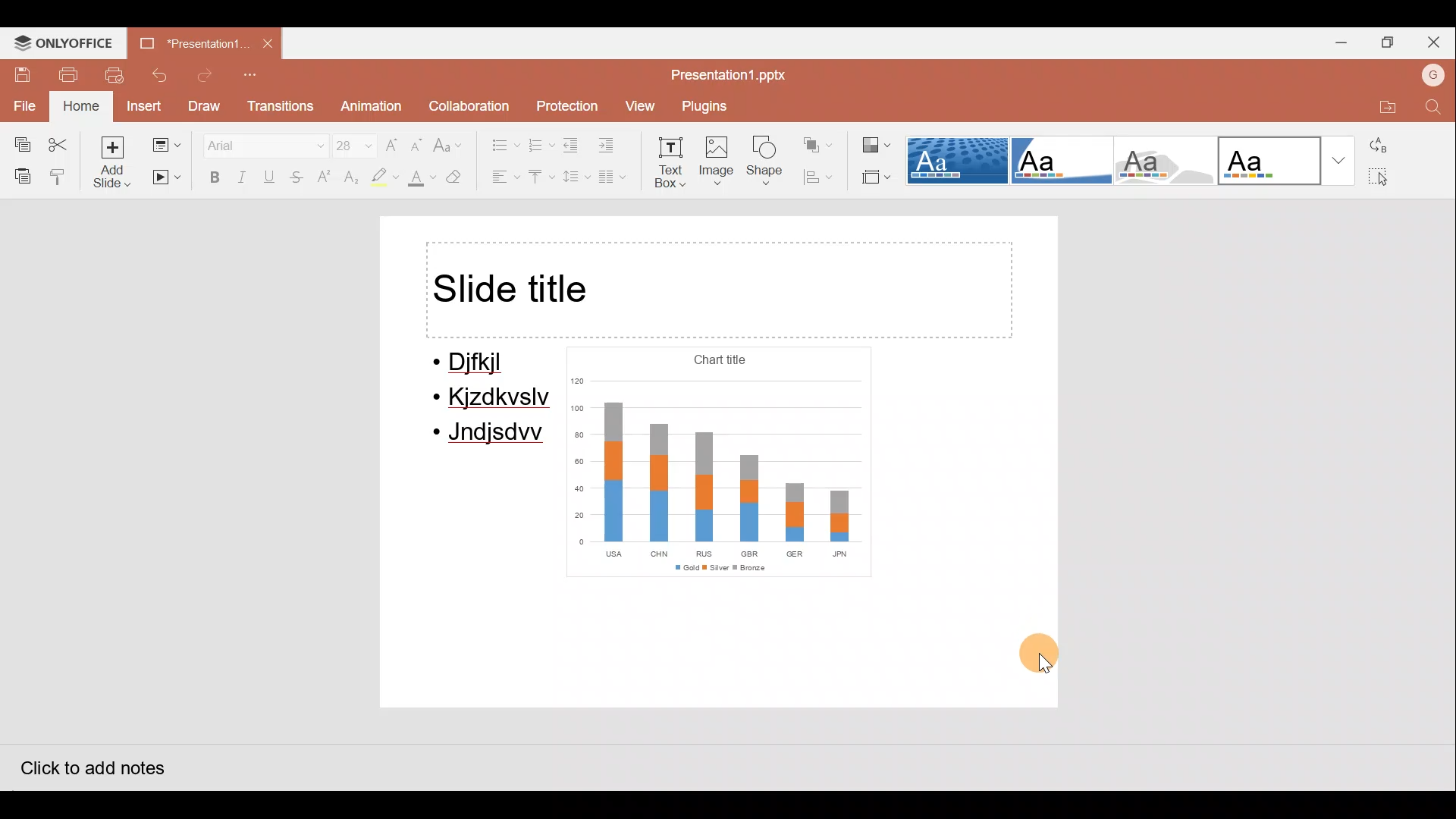 Image resolution: width=1456 pixels, height=819 pixels. What do you see at coordinates (1160, 162) in the screenshot?
I see `Turtle` at bounding box center [1160, 162].